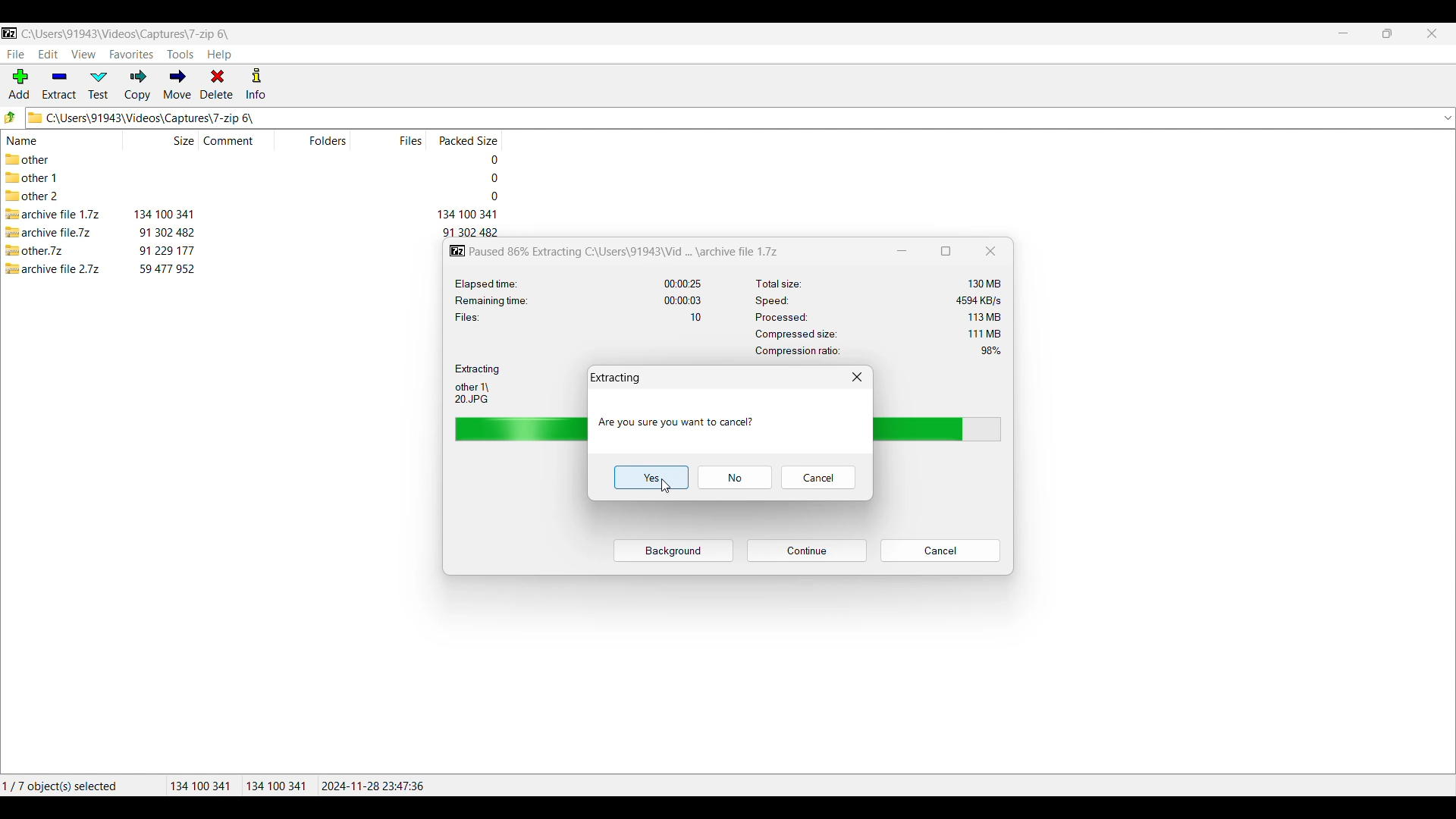 The image size is (1456, 819). What do you see at coordinates (38, 159) in the screenshot?
I see `other ` at bounding box center [38, 159].